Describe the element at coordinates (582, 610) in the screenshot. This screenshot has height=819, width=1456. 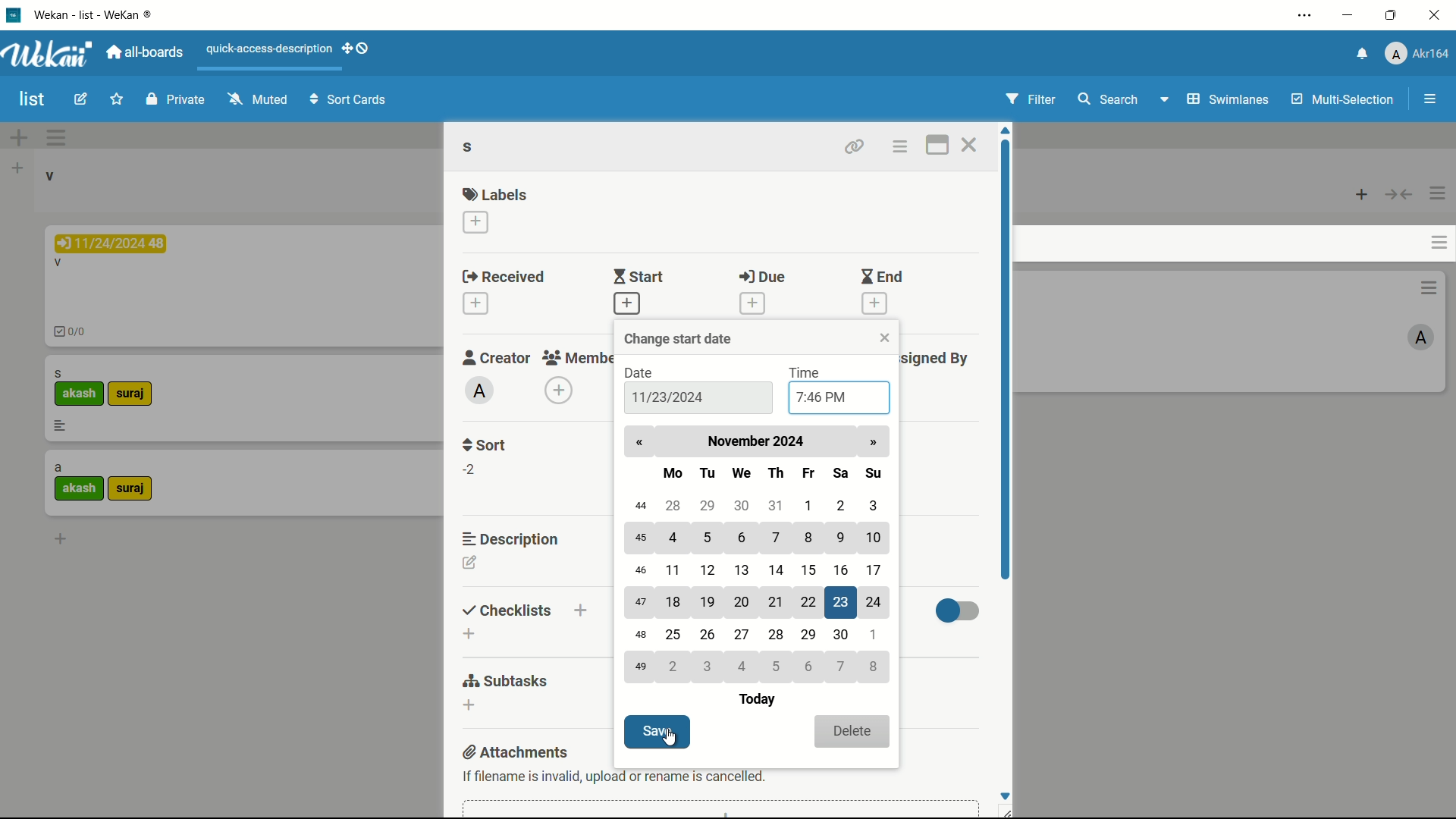
I see `add checklists` at that location.